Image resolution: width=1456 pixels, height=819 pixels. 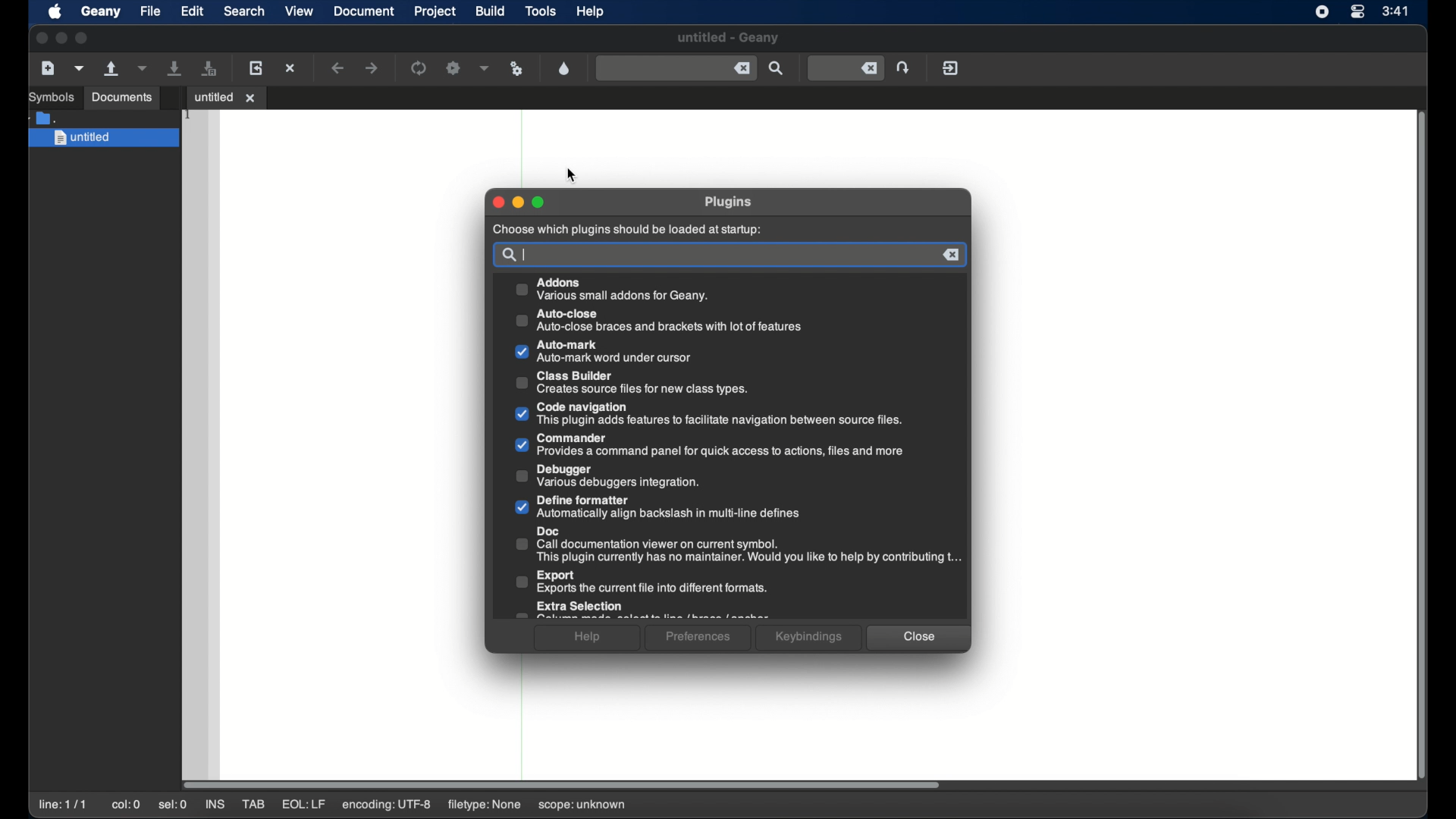 I want to click on run or view current file, so click(x=517, y=69).